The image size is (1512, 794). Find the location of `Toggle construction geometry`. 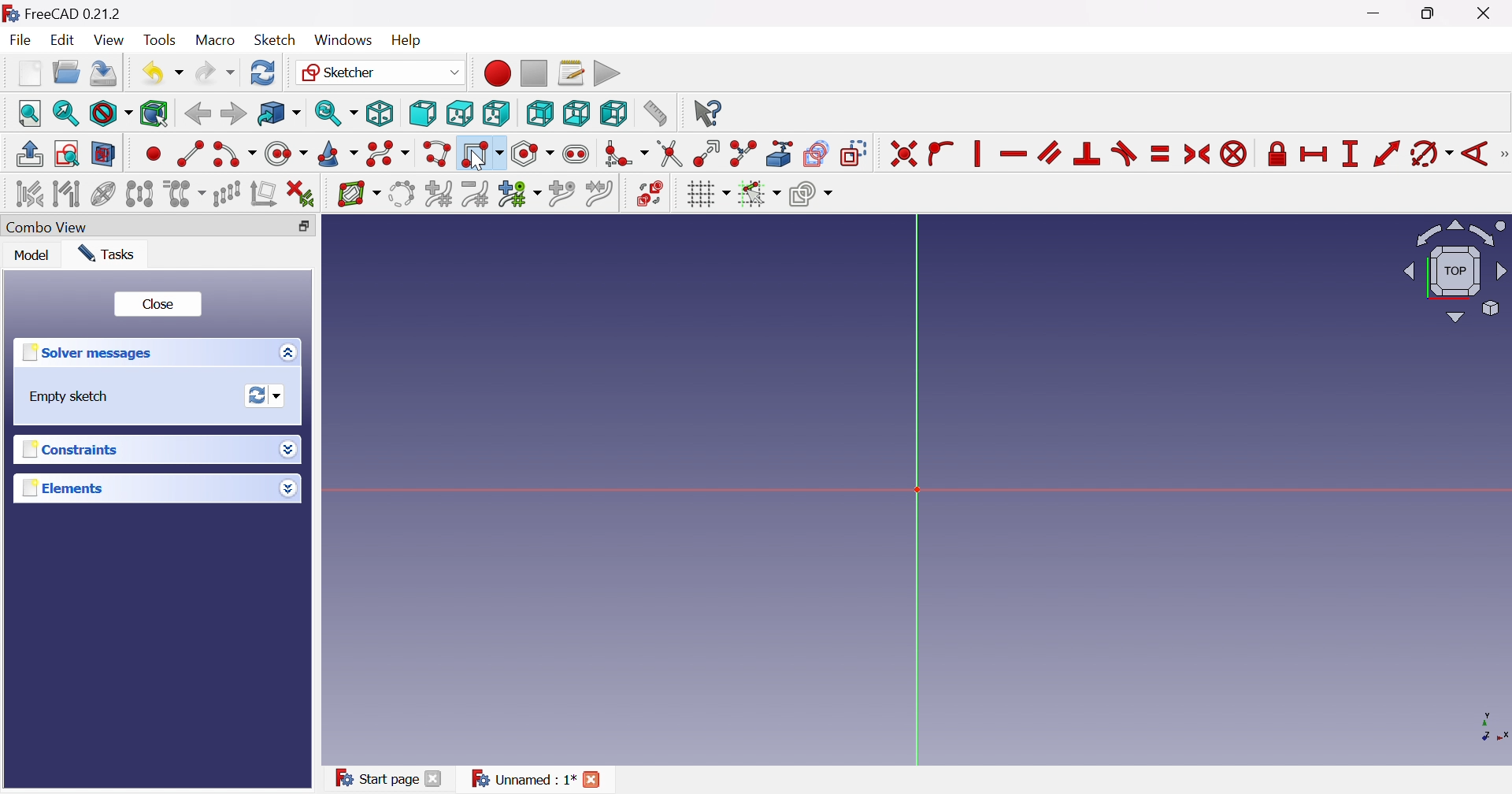

Toggle construction geometry is located at coordinates (855, 154).